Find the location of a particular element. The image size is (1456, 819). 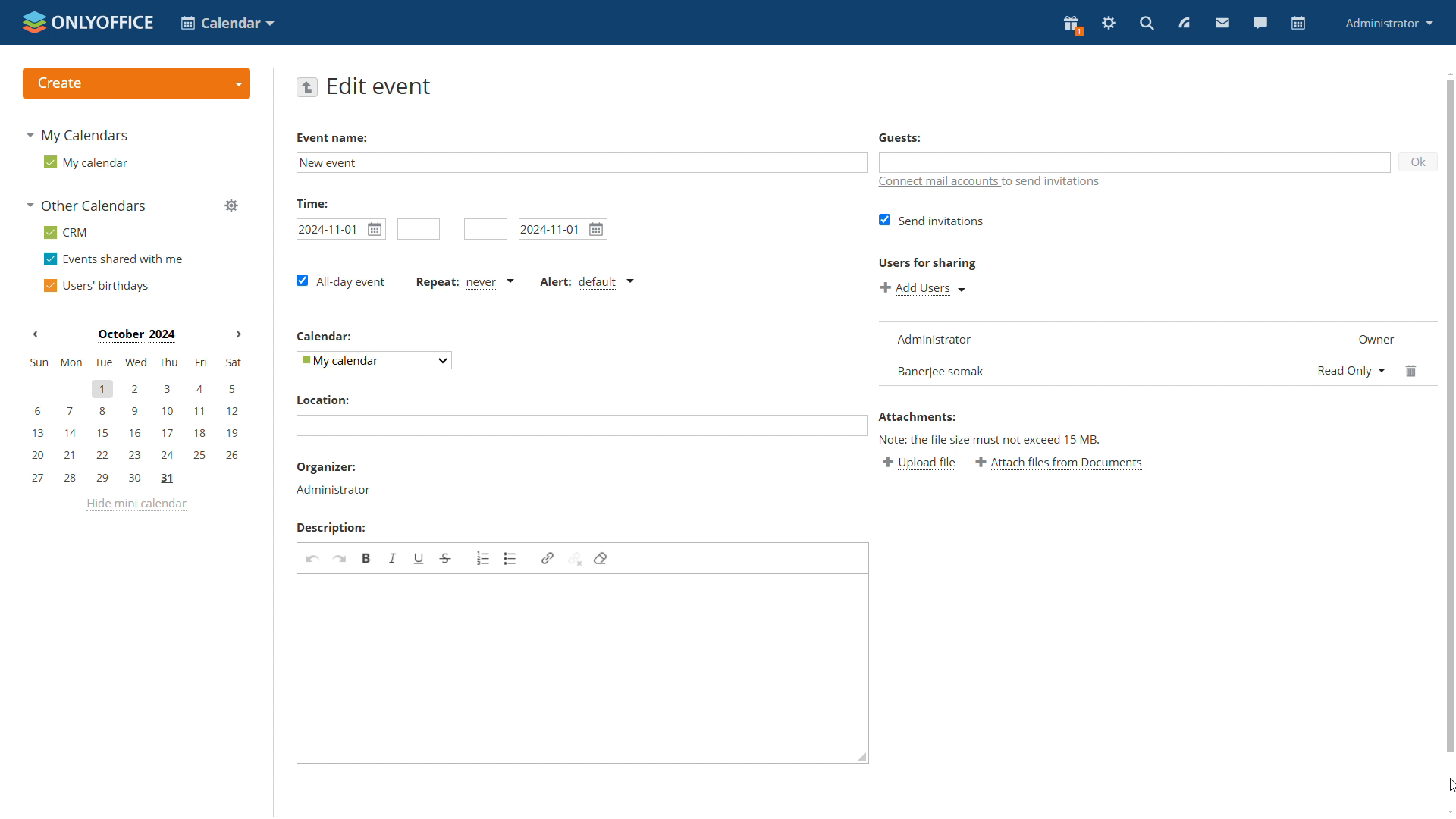

administrator is located at coordinates (1389, 23).